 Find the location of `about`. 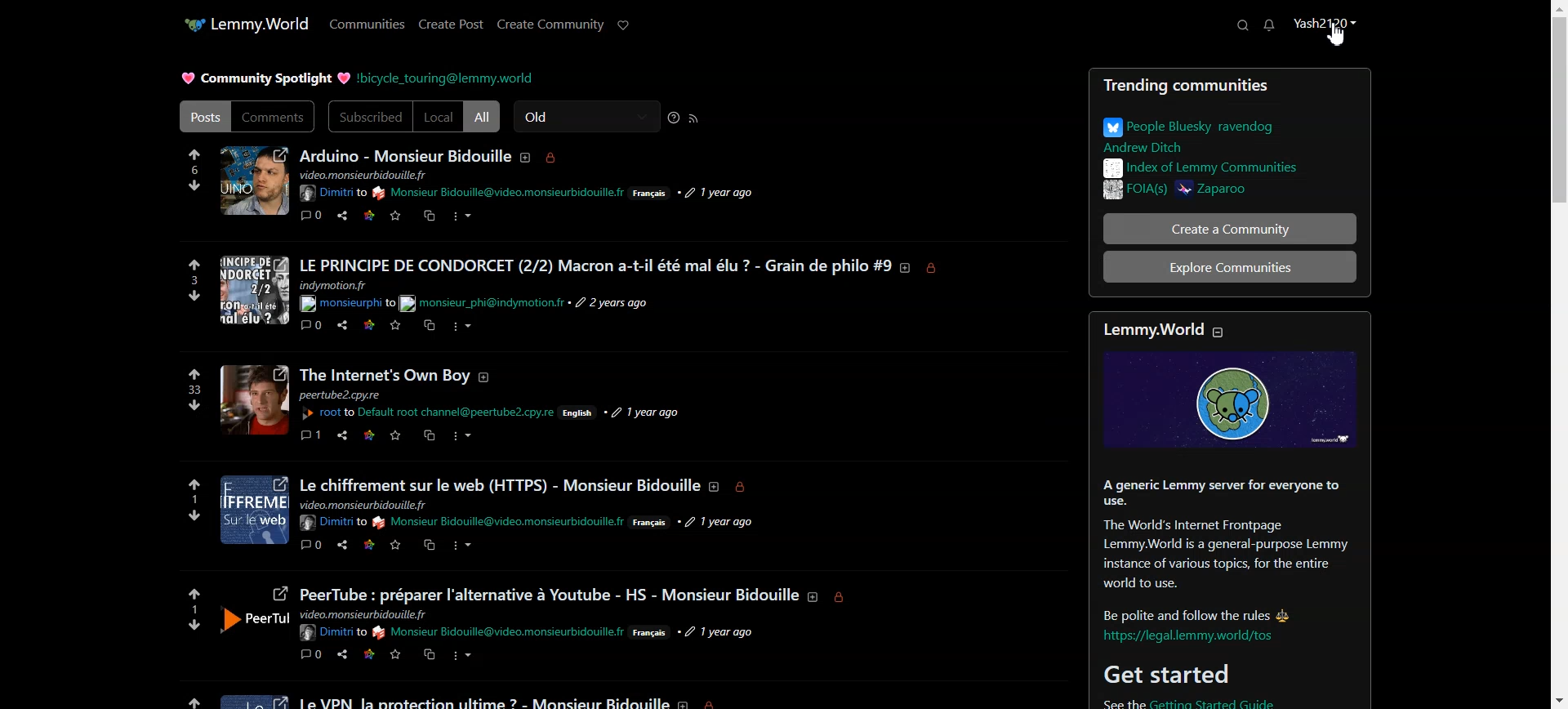

about is located at coordinates (717, 489).